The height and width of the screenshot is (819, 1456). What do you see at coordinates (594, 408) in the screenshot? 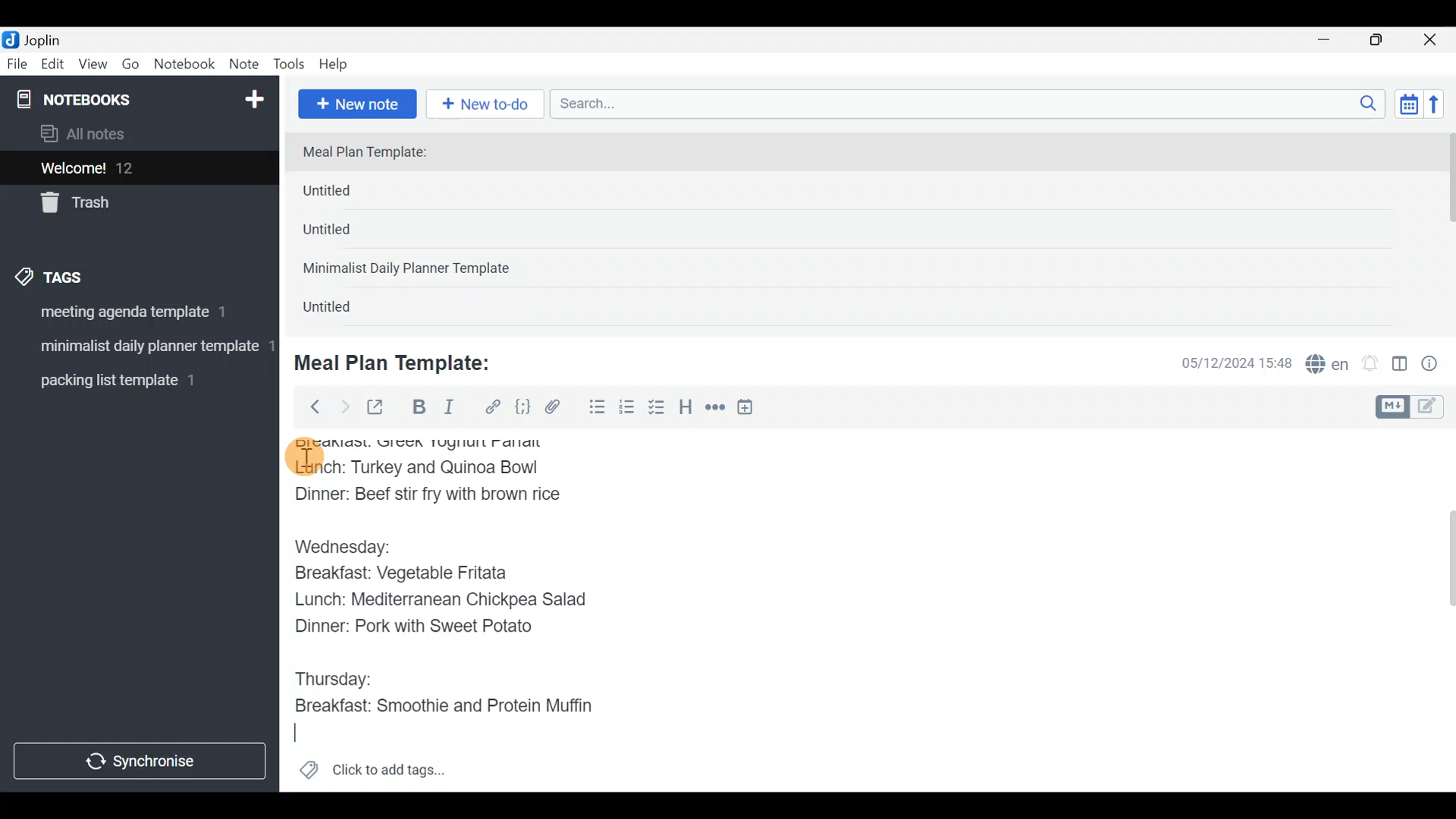
I see `Bulleted list` at bounding box center [594, 408].